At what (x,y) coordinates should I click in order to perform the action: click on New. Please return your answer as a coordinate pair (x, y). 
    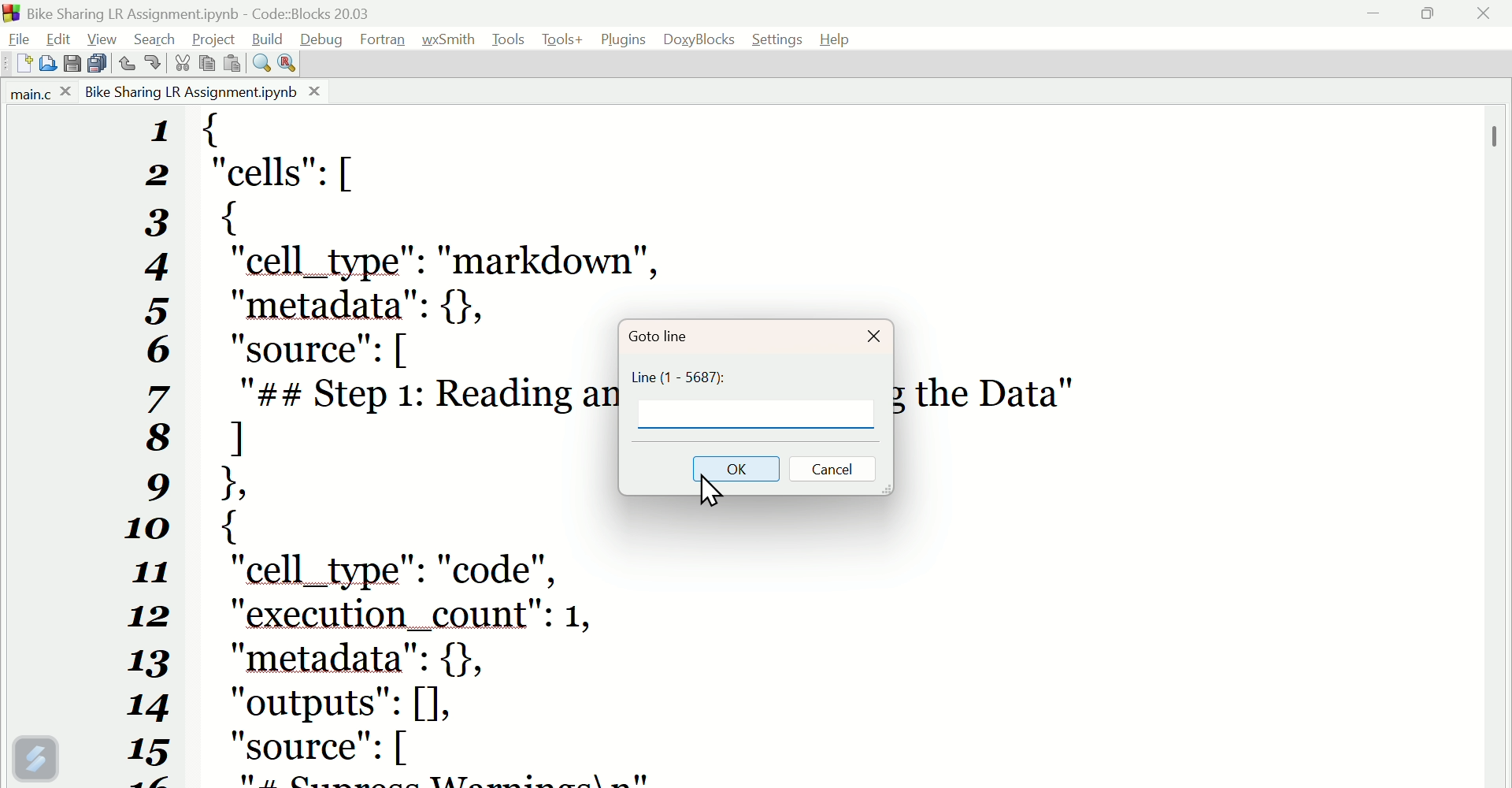
    Looking at the image, I should click on (18, 65).